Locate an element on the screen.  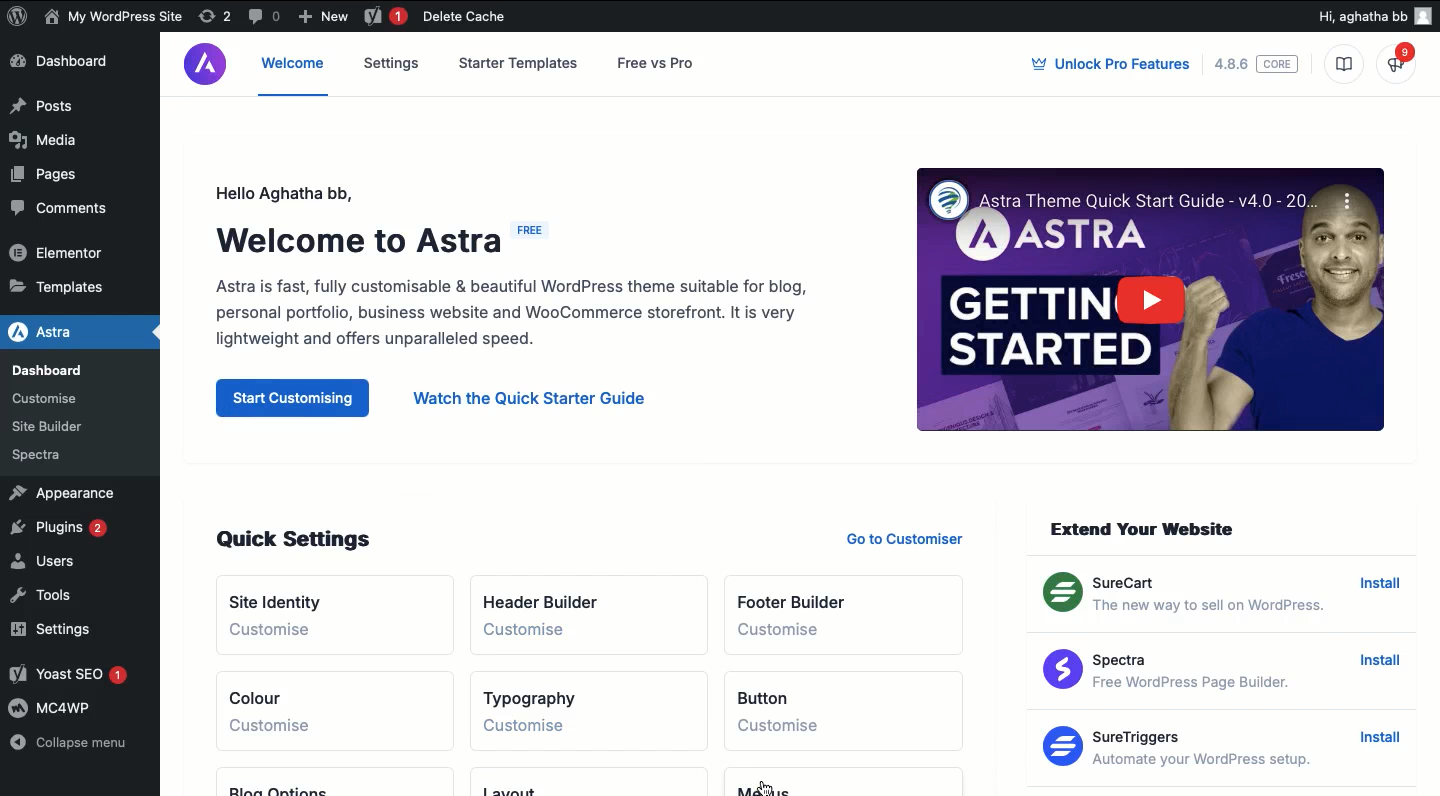
Install is located at coordinates (1380, 662).